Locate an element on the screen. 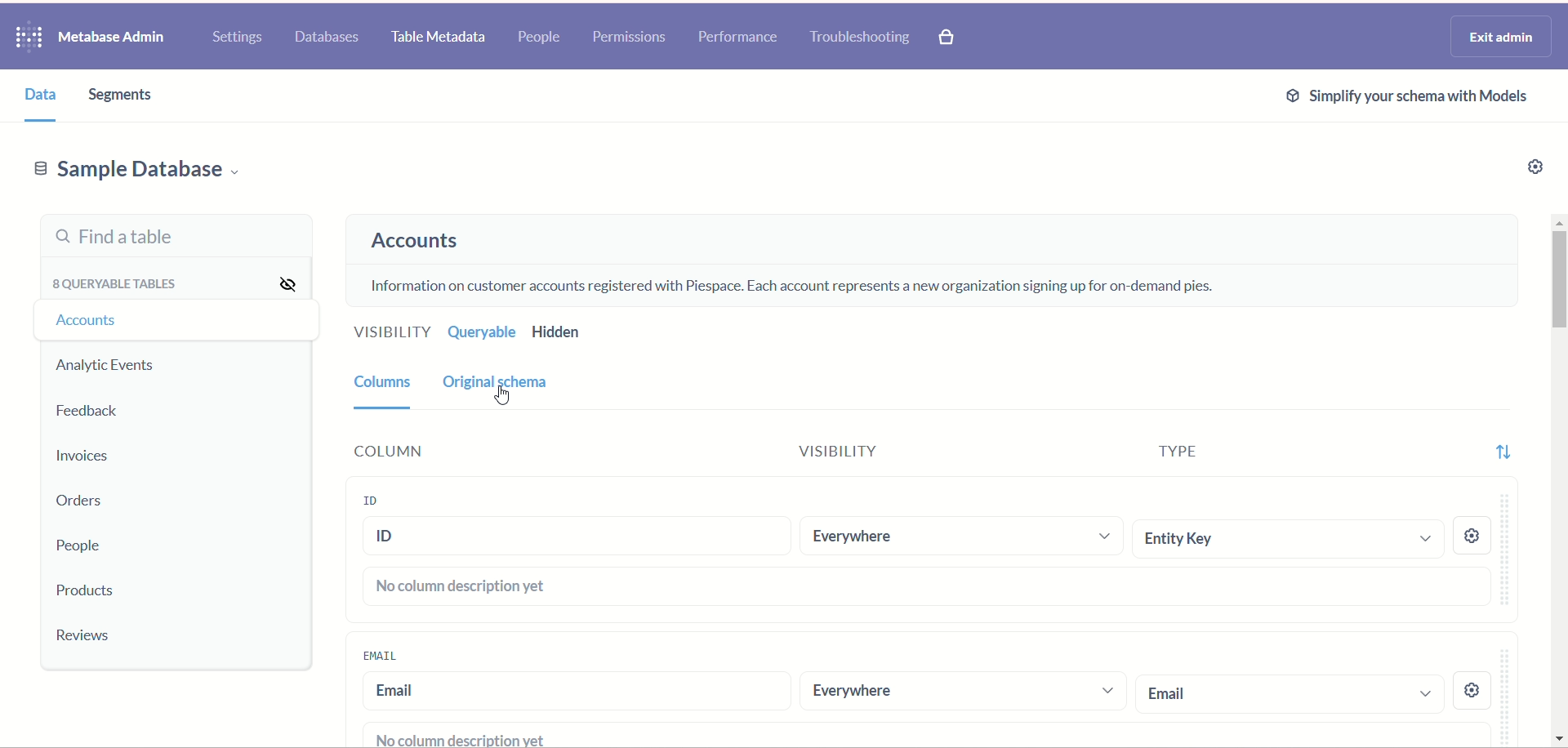  people is located at coordinates (79, 545).